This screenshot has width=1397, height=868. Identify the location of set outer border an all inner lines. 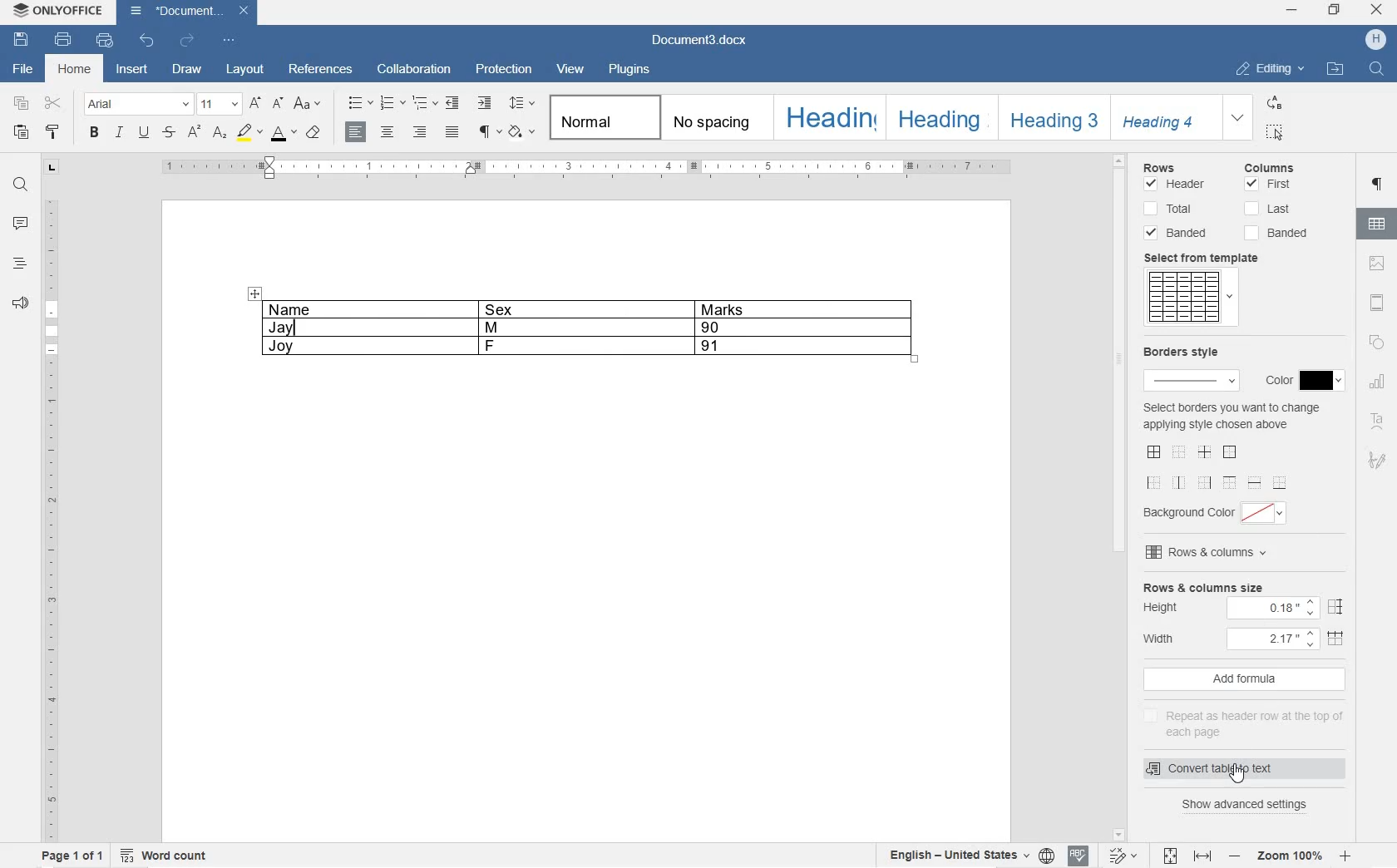
(1153, 451).